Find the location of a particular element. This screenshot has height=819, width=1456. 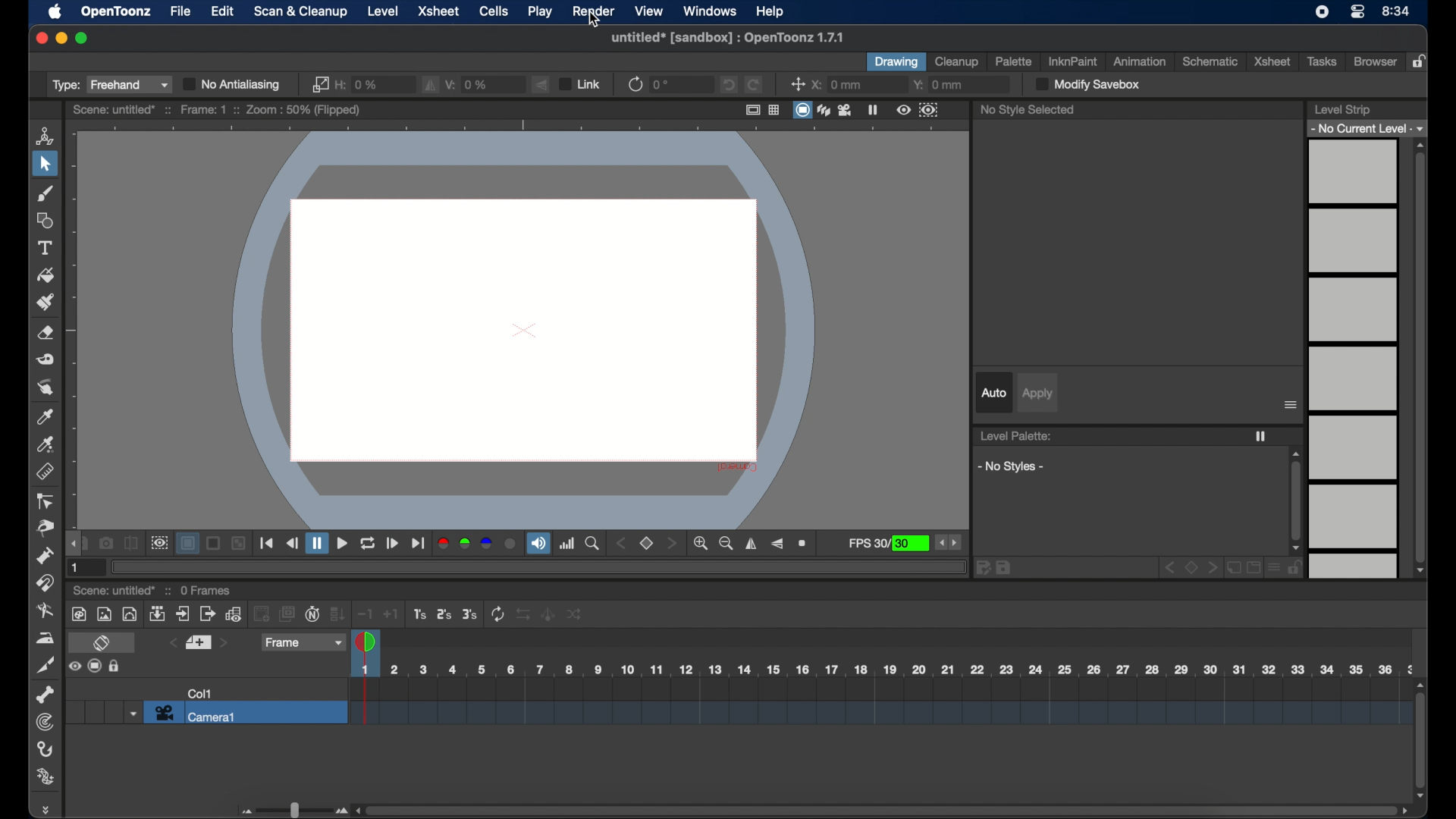

flip vertically is located at coordinates (542, 84).